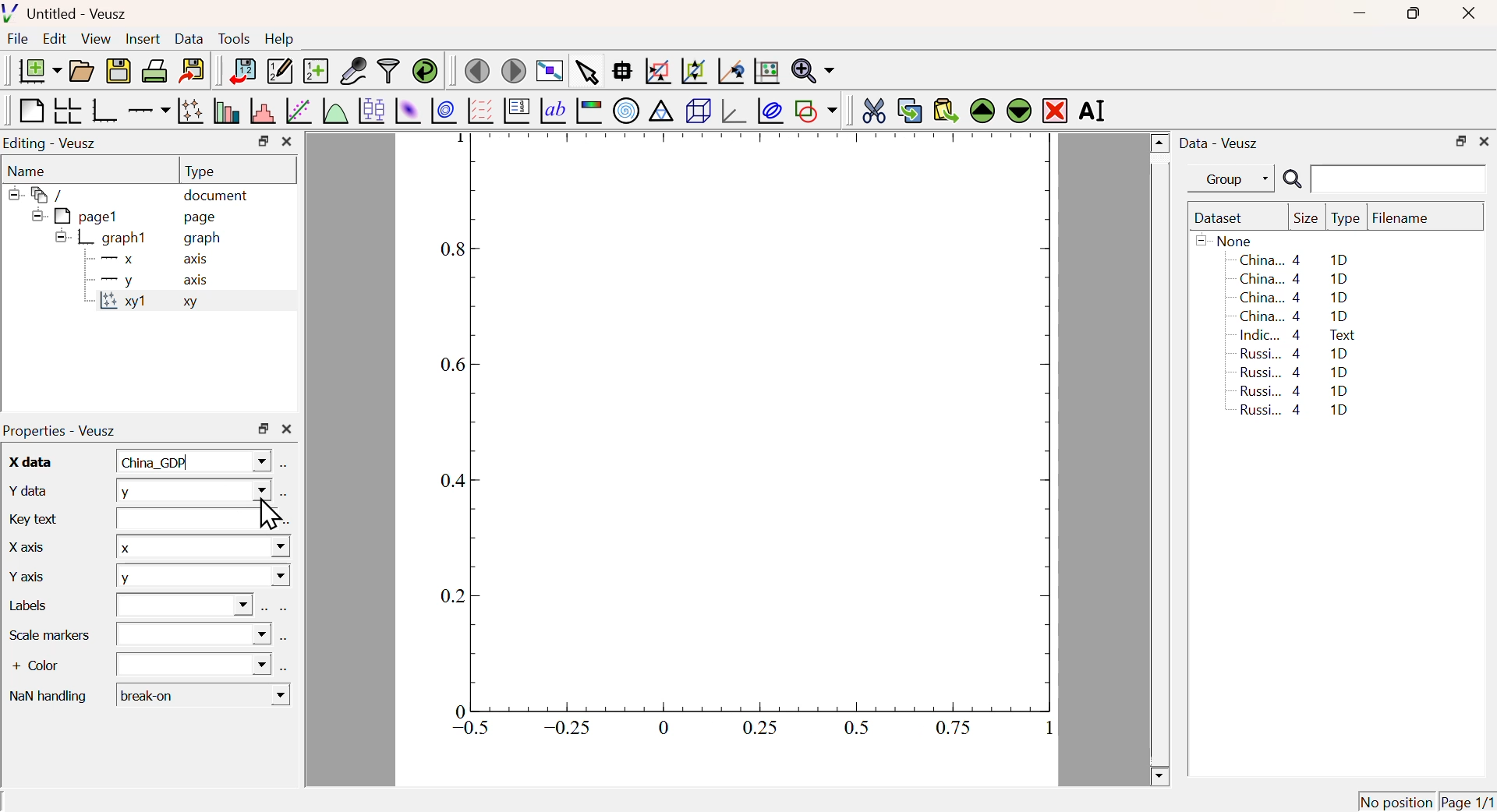 This screenshot has width=1497, height=812. Describe the element at coordinates (285, 495) in the screenshot. I see `Select using dataset Browser` at that location.